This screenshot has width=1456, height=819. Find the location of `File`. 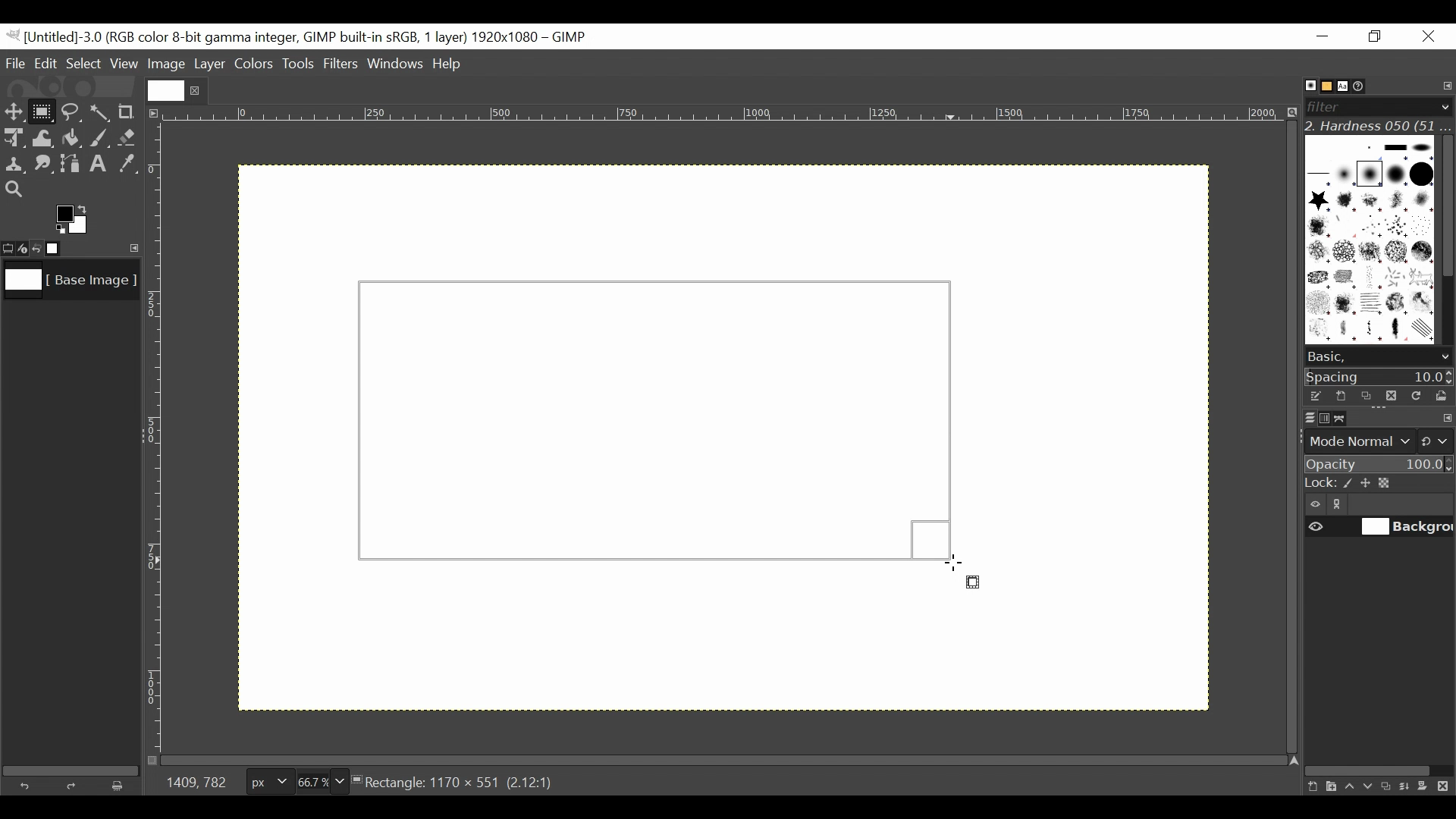

File is located at coordinates (17, 63).